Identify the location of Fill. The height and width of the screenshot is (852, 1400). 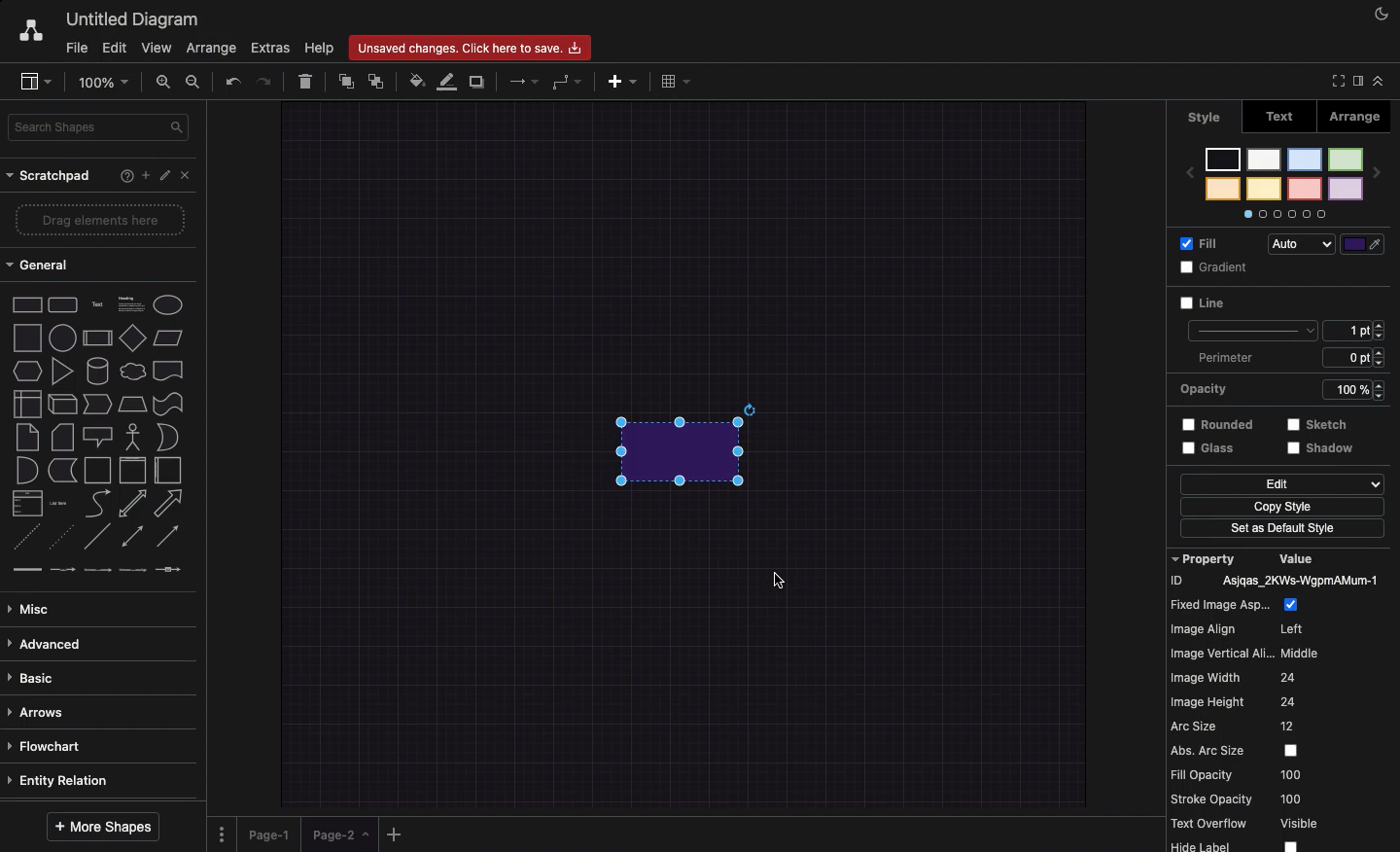
(1204, 242).